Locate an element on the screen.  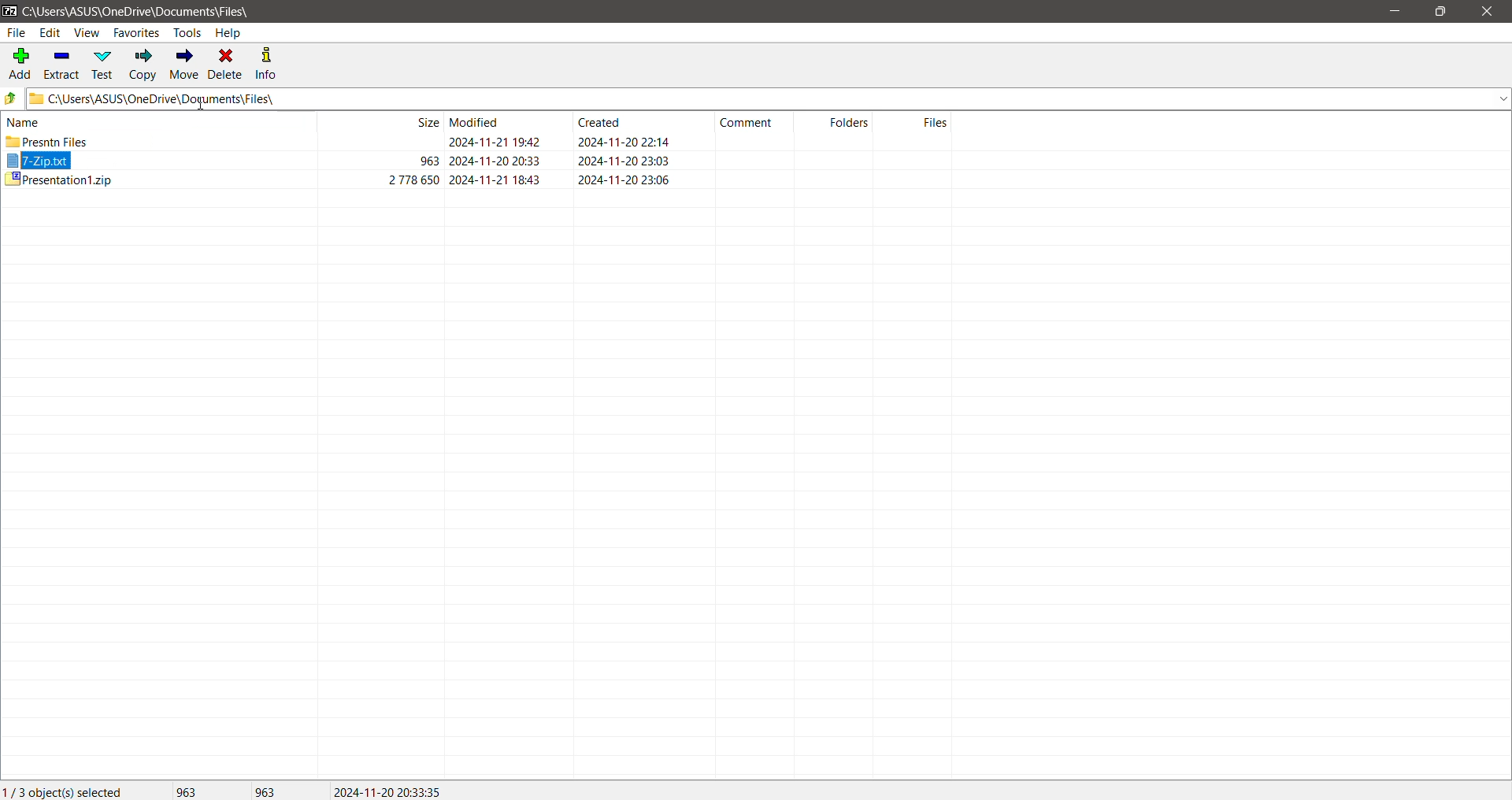
Add is located at coordinates (18, 64).